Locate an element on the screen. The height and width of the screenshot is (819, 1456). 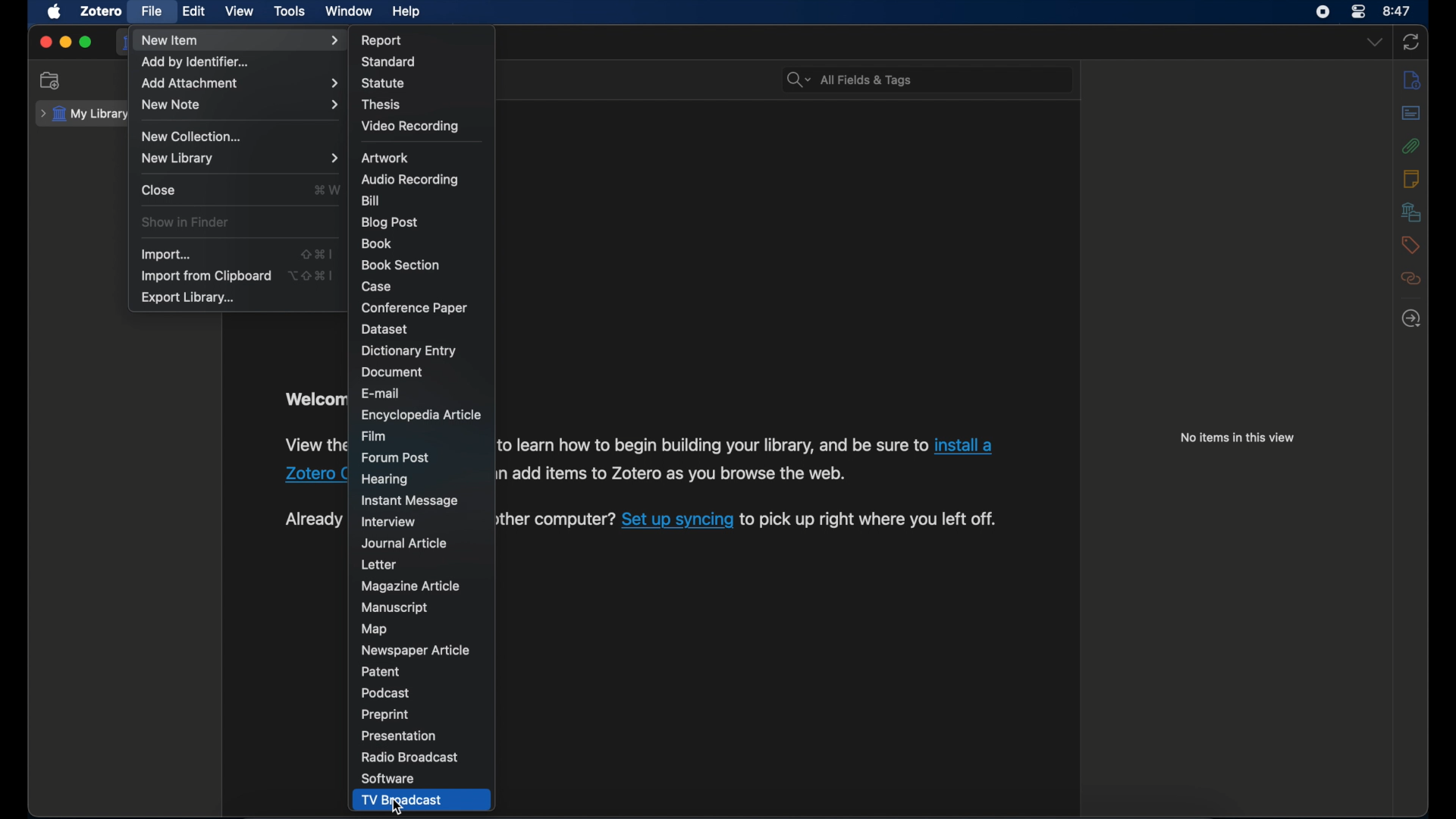
screen recorder is located at coordinates (1323, 12).